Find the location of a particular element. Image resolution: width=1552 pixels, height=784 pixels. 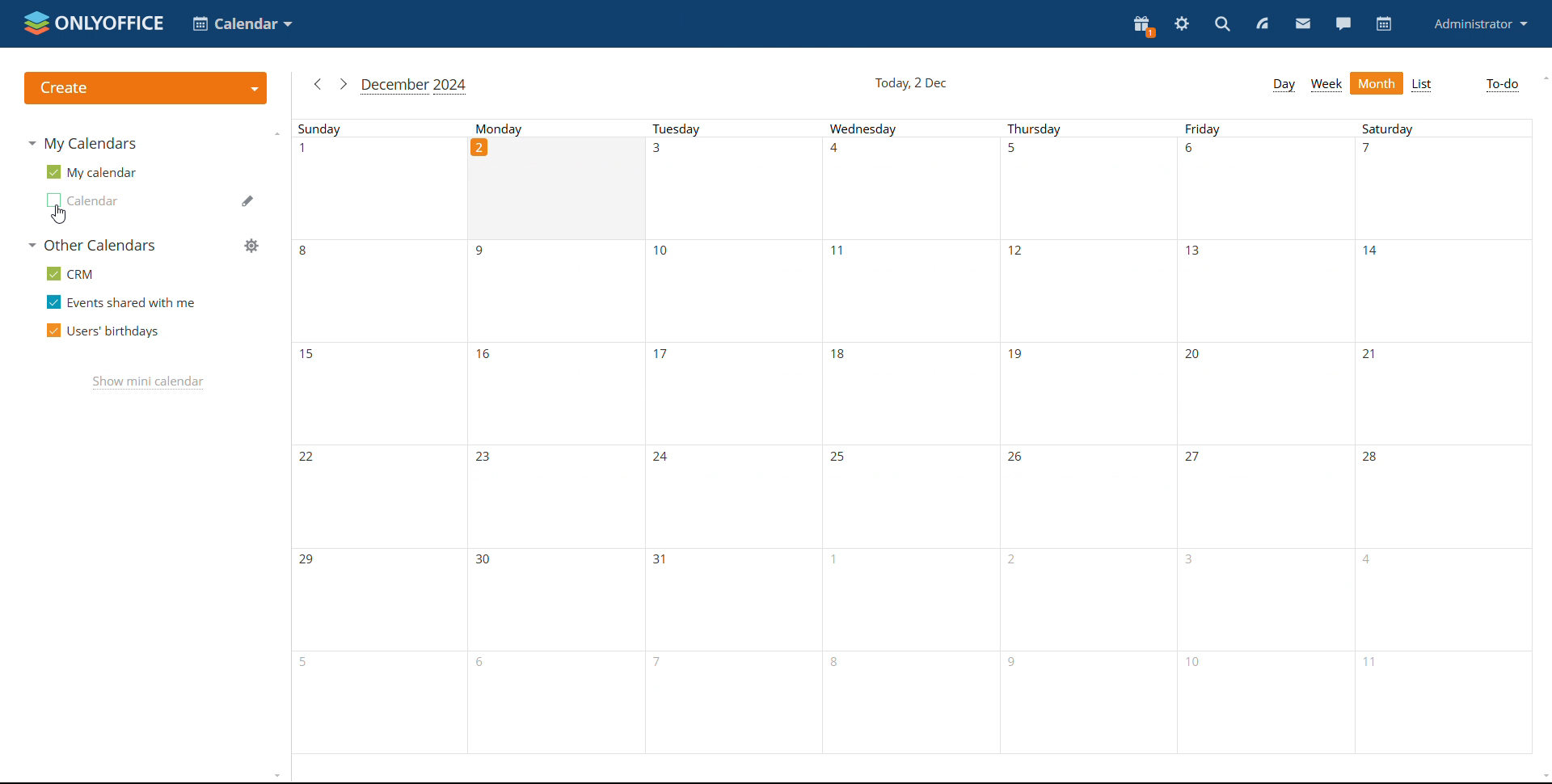

30 is located at coordinates (553, 599).